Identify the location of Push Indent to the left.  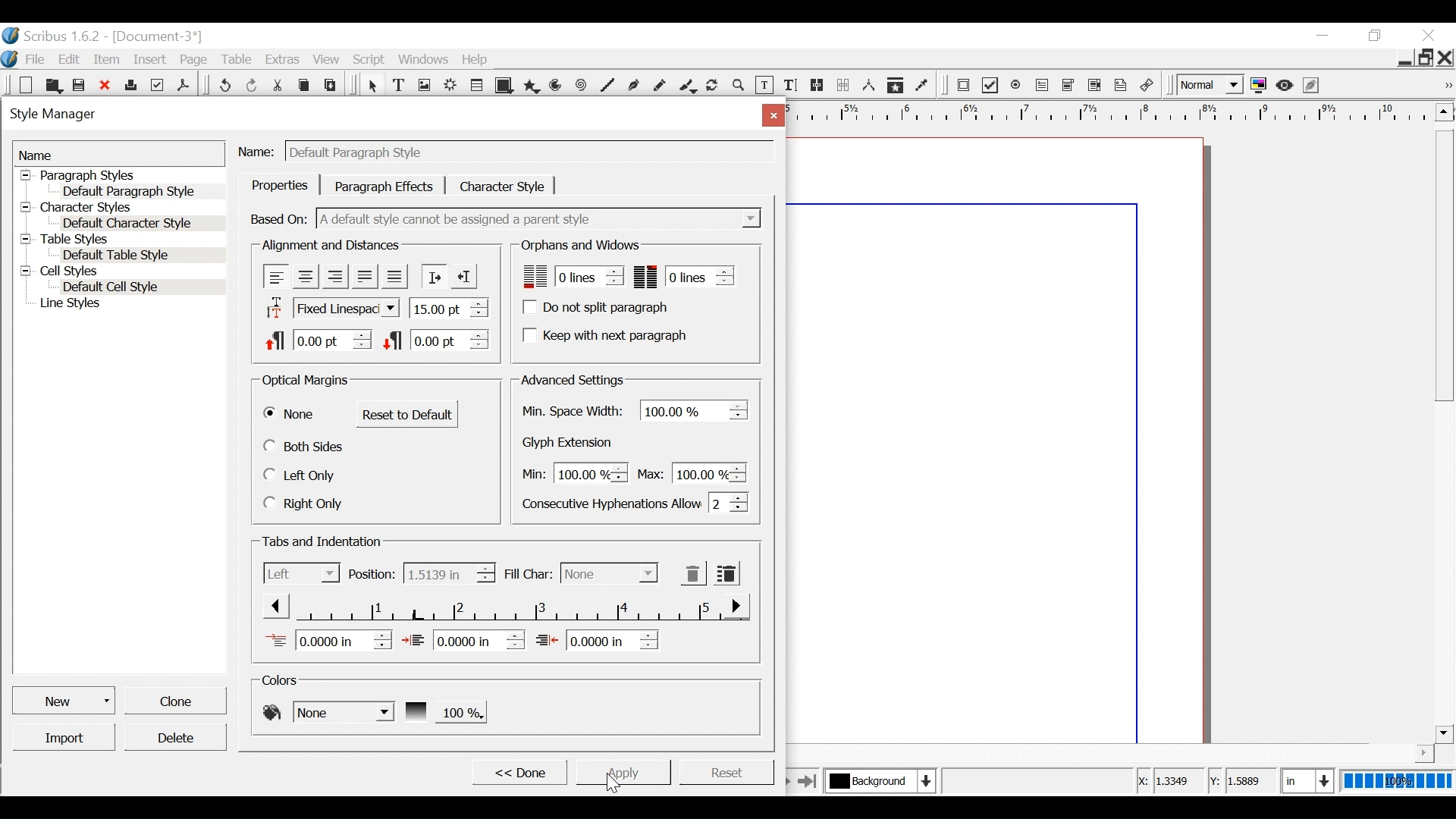
(463, 275).